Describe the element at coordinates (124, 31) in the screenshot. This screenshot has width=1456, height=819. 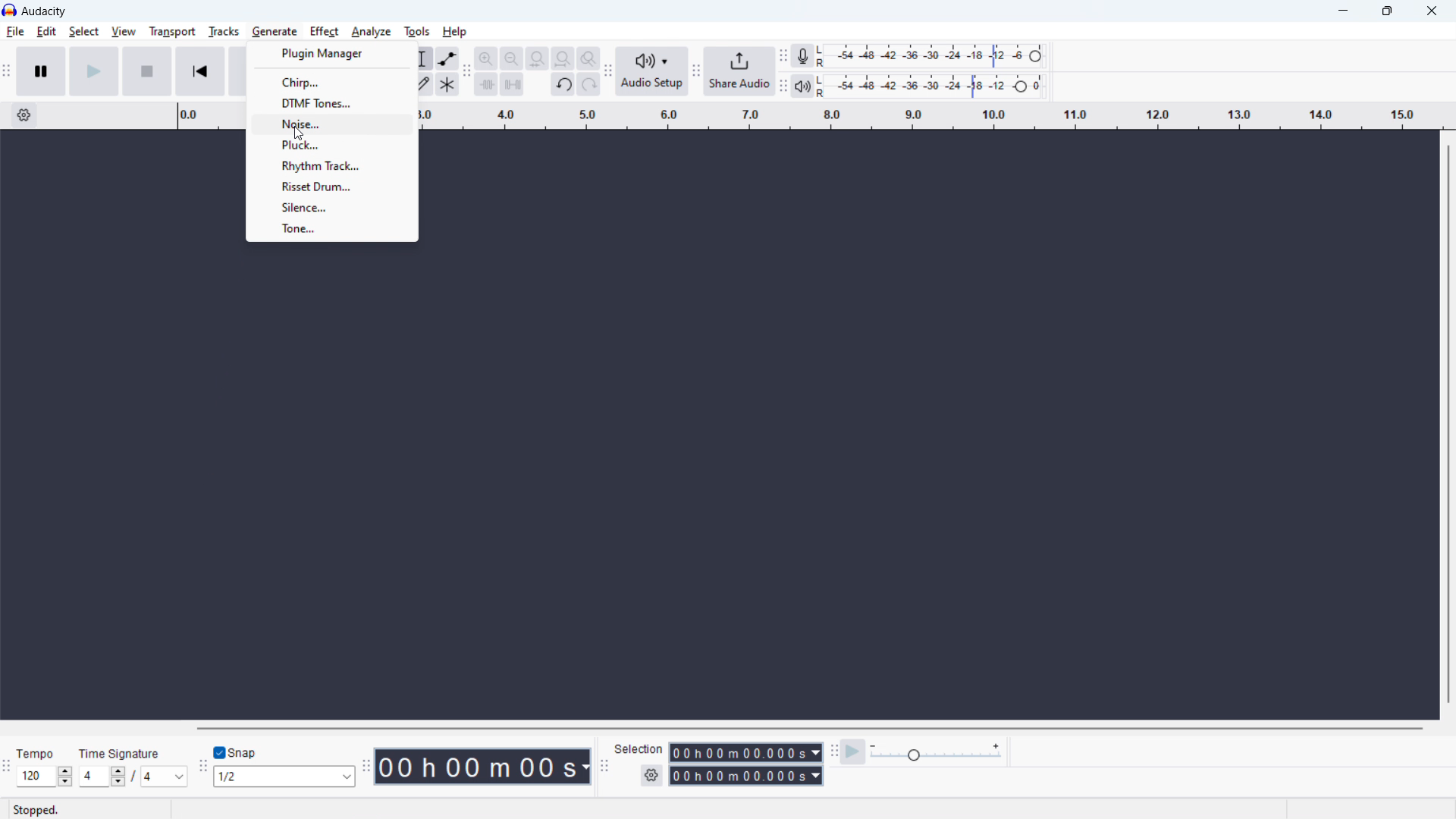
I see `view` at that location.